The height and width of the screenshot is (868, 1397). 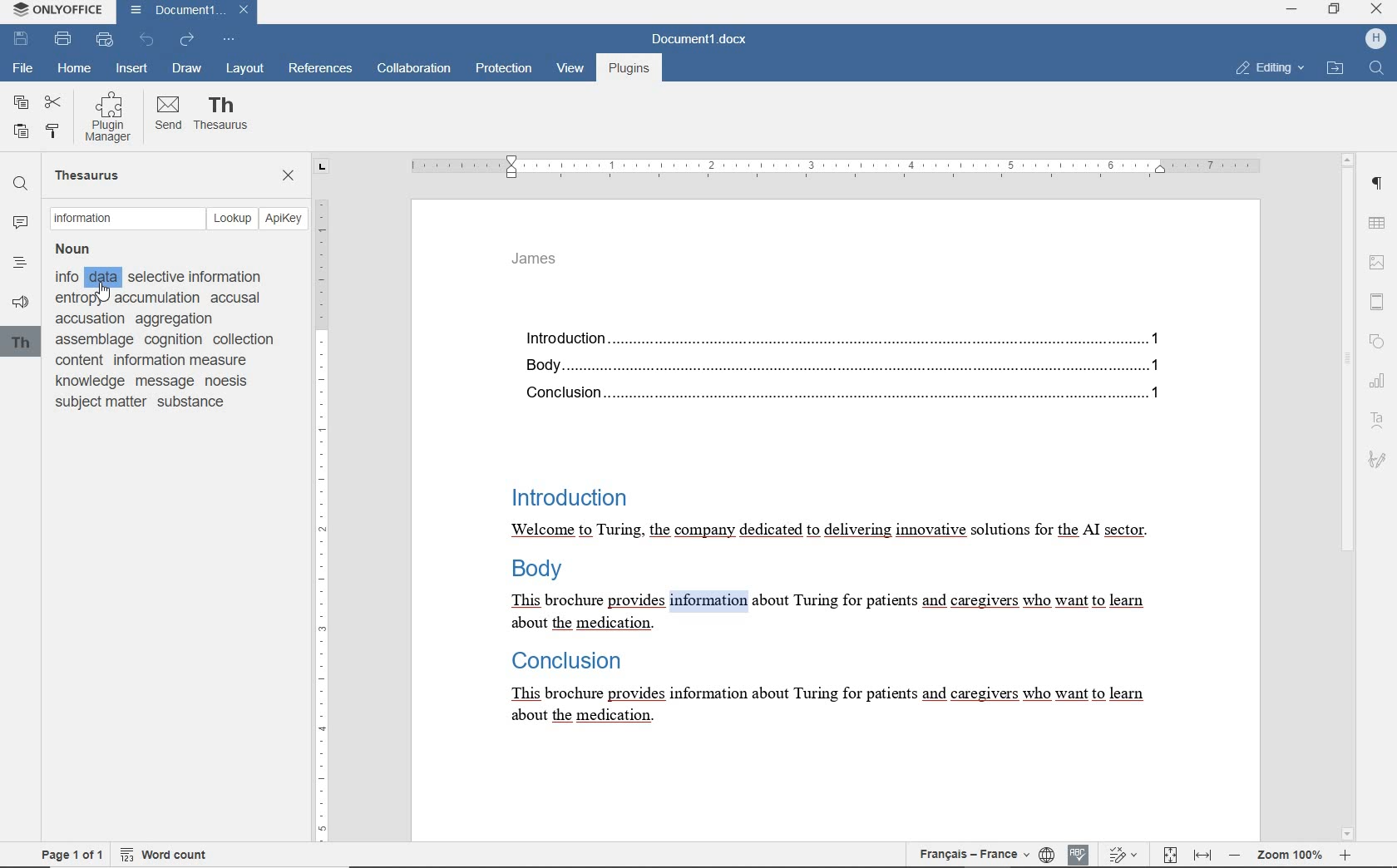 I want to click on EDITING, so click(x=1270, y=69).